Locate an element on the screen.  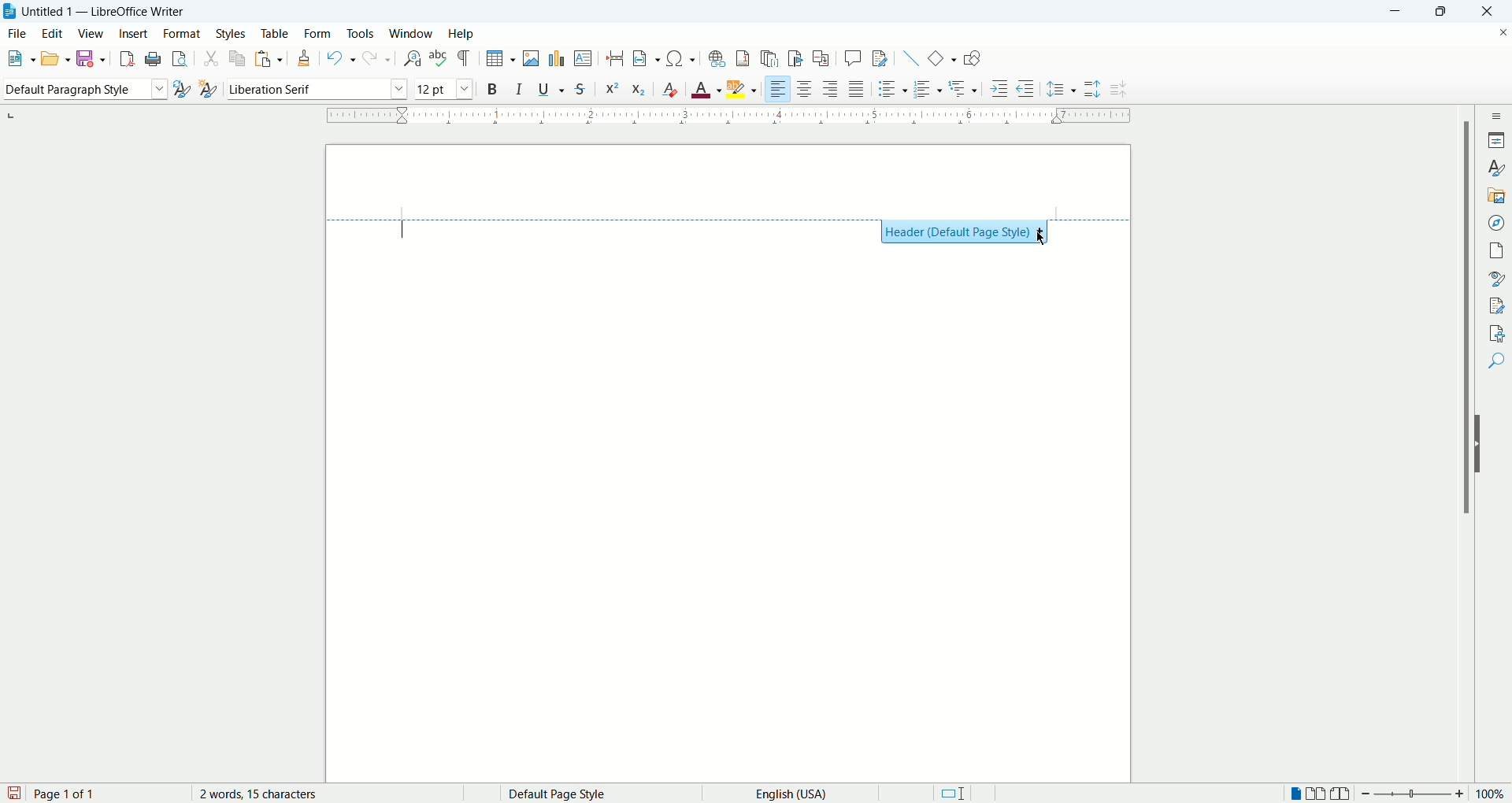
style inspector is located at coordinates (1498, 277).